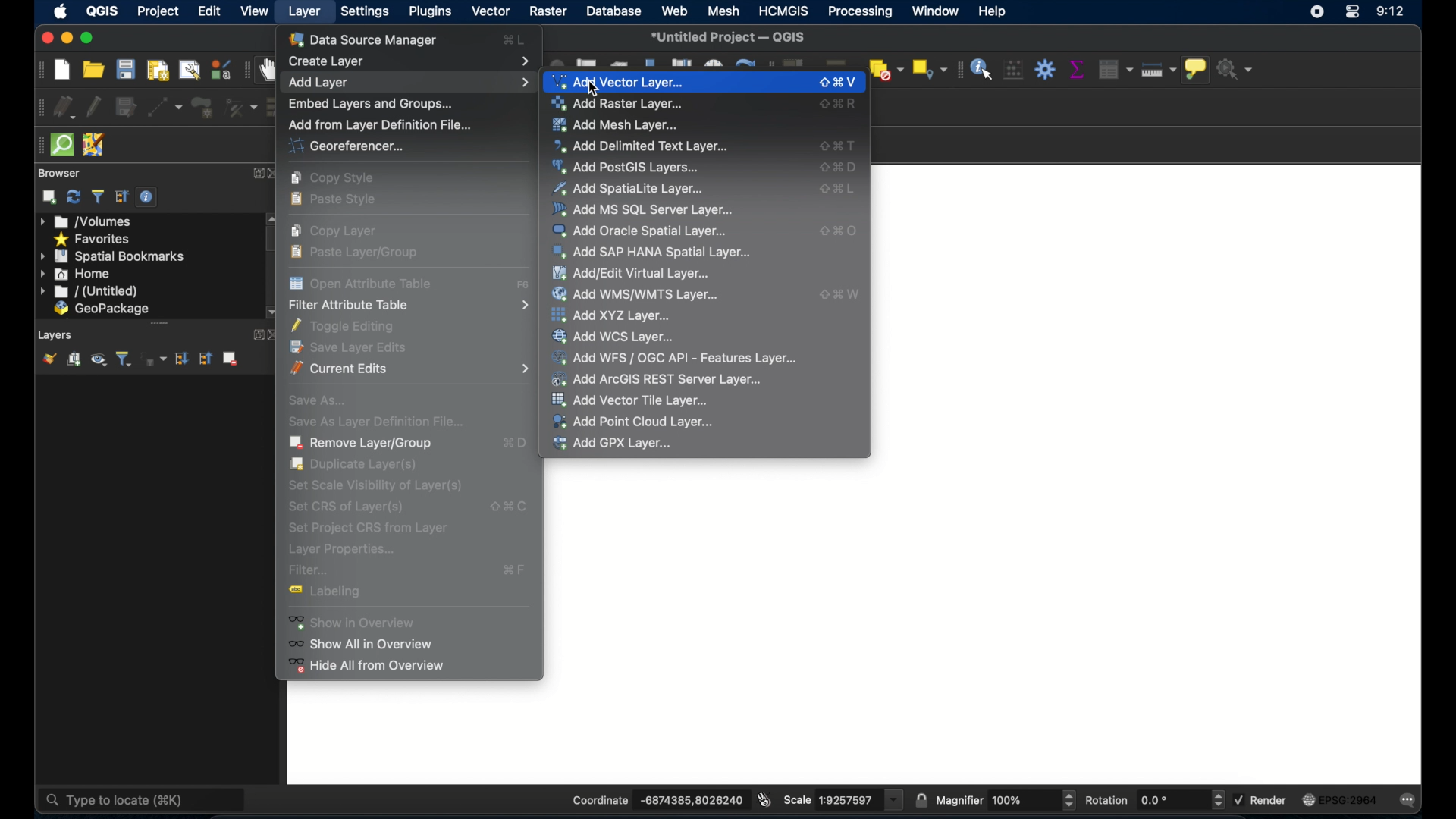 The height and width of the screenshot is (819, 1456). I want to click on coordinate, so click(648, 796).